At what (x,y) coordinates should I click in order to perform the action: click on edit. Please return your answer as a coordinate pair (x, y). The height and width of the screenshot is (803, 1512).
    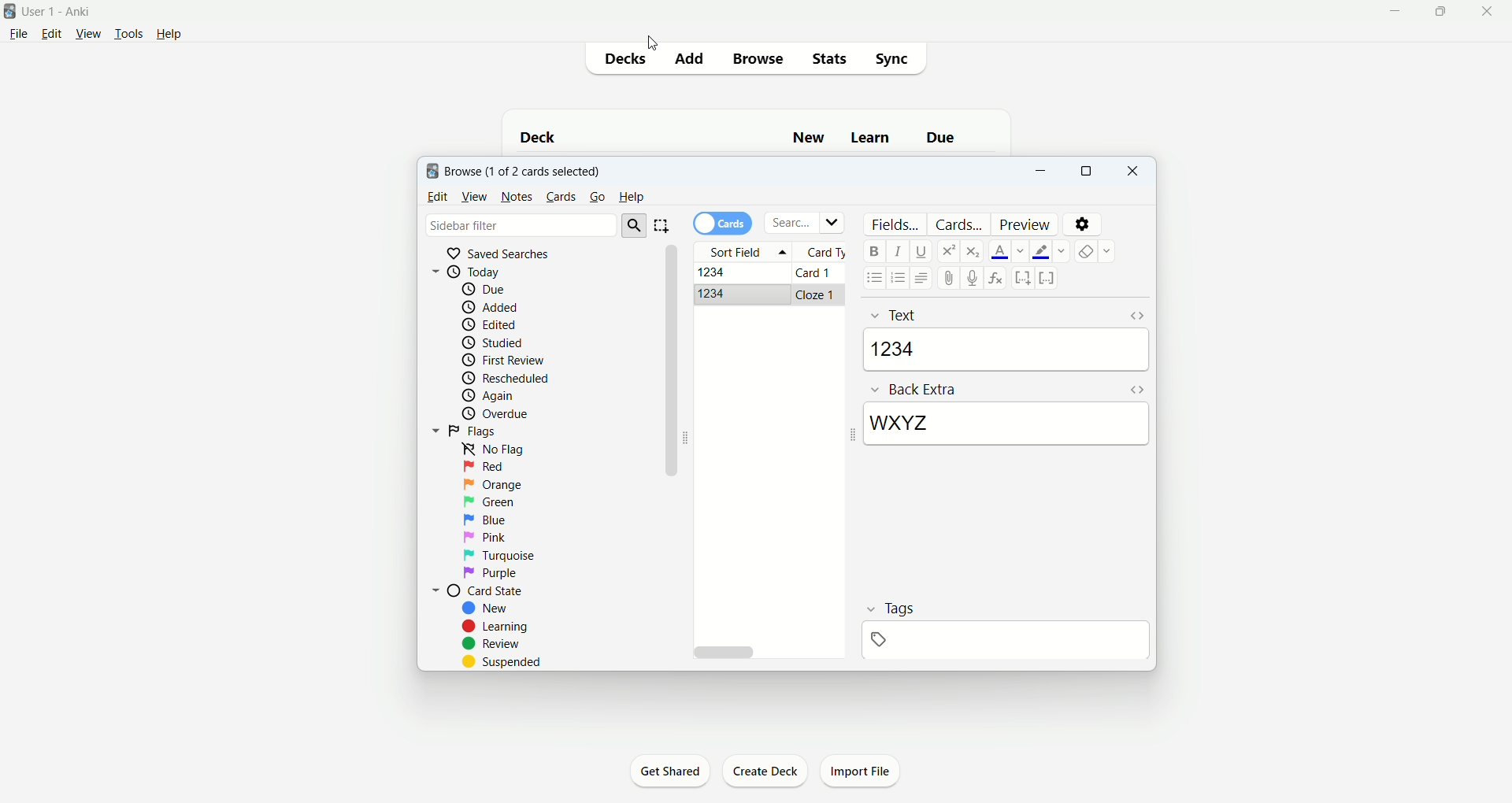
    Looking at the image, I should click on (440, 195).